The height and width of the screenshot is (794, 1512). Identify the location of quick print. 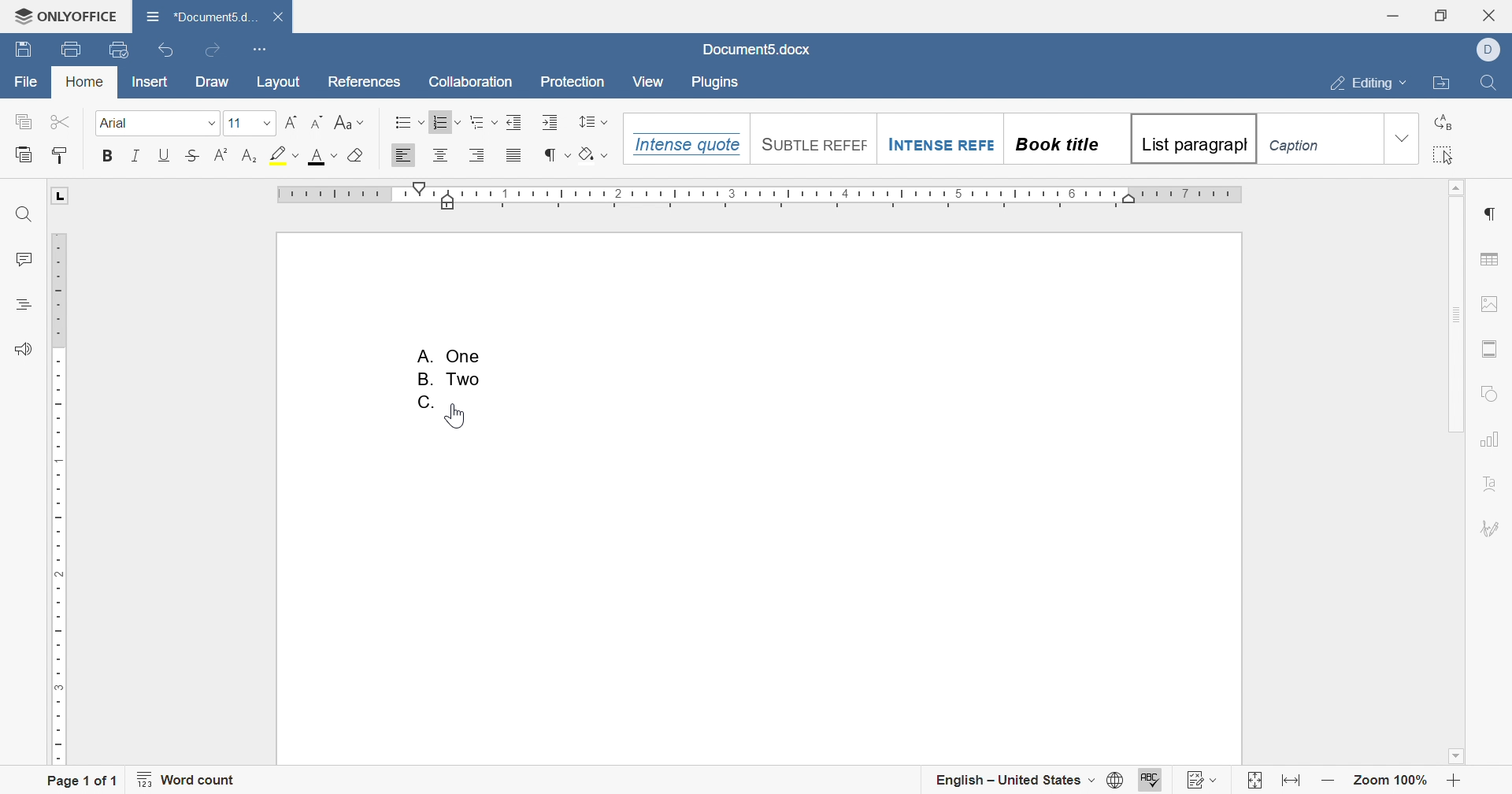
(118, 50).